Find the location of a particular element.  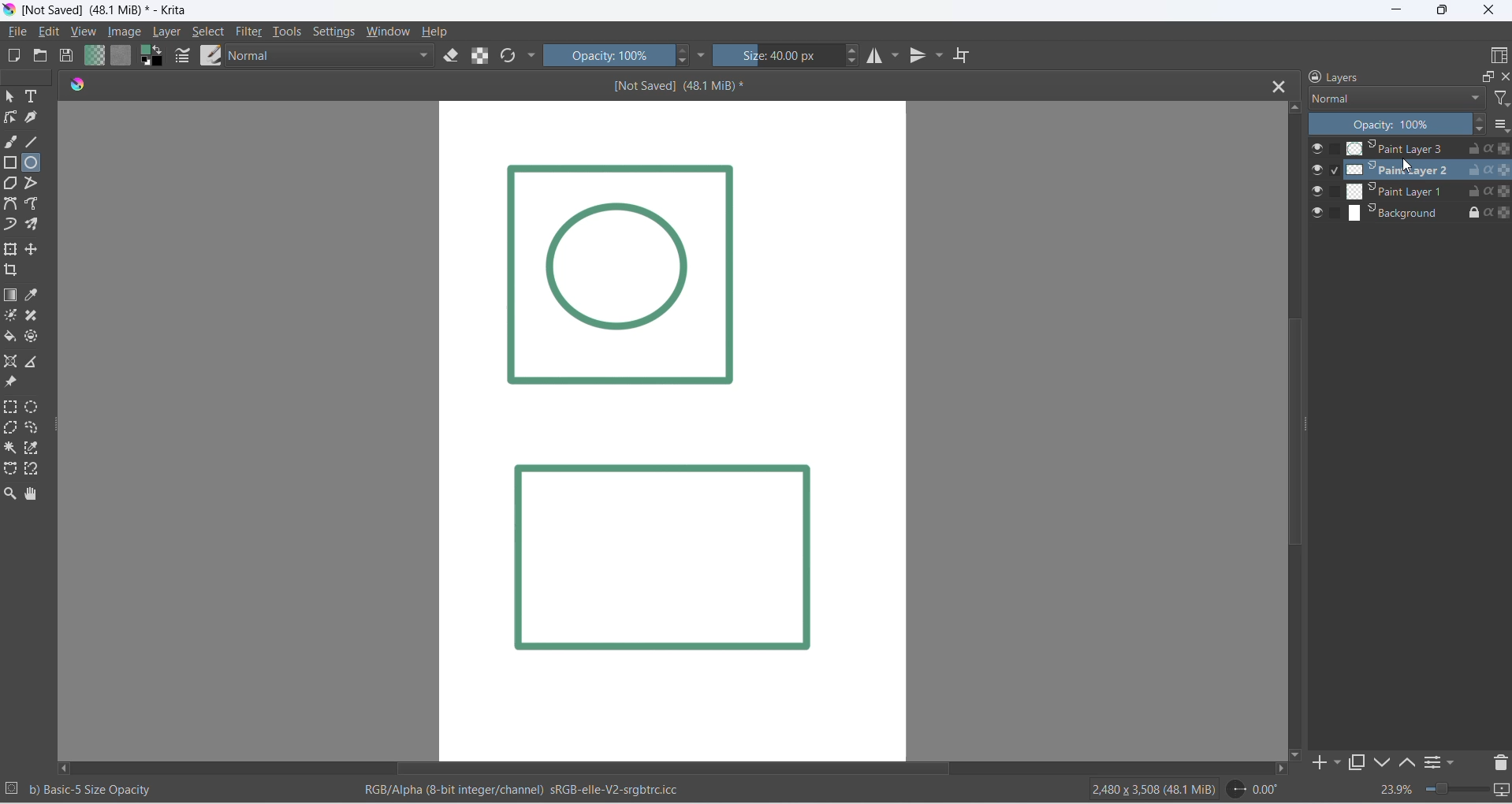

scrollbar is located at coordinates (1306, 427).